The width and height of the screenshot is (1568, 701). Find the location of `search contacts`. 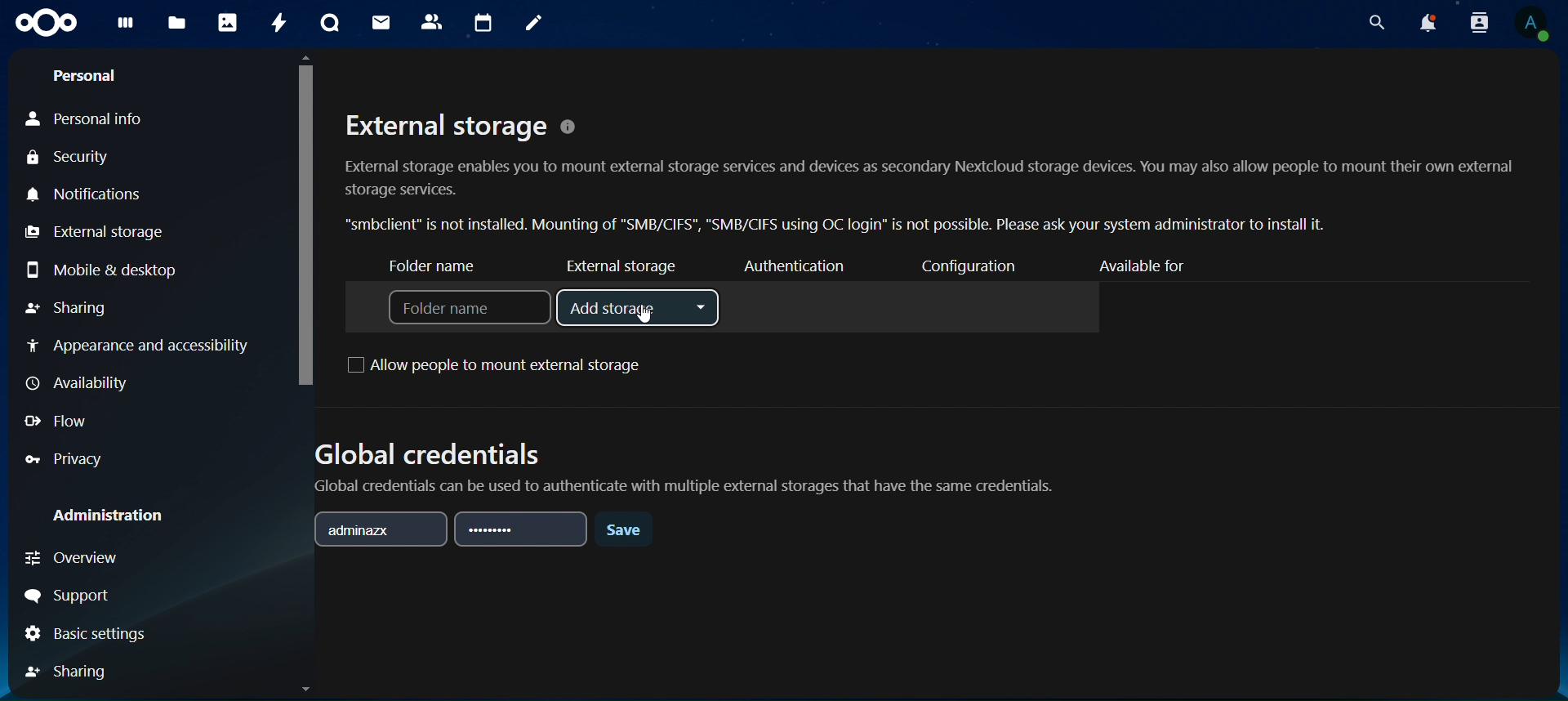

search contacts is located at coordinates (1479, 23).